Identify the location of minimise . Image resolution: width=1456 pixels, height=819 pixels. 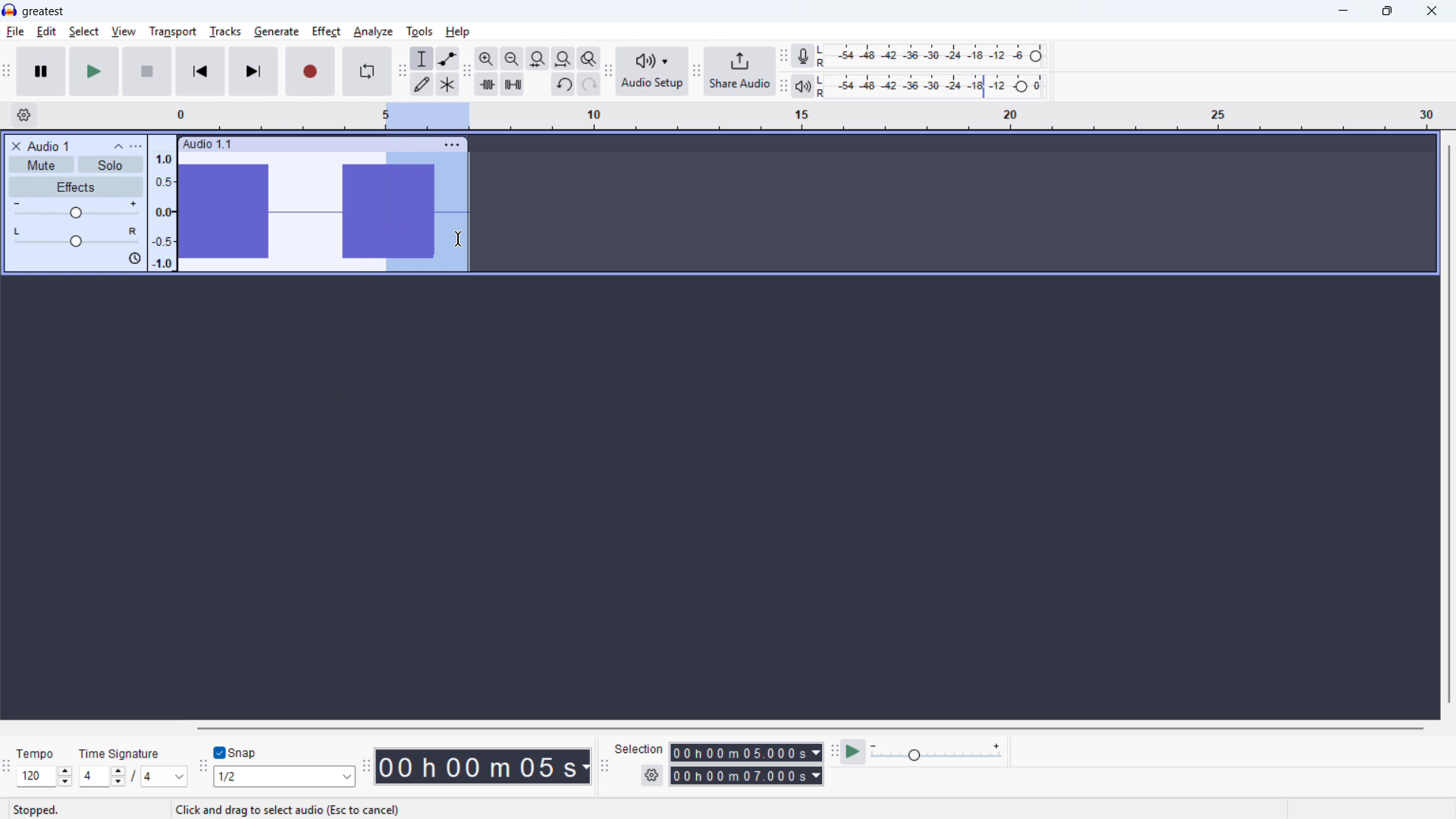
(1345, 11).